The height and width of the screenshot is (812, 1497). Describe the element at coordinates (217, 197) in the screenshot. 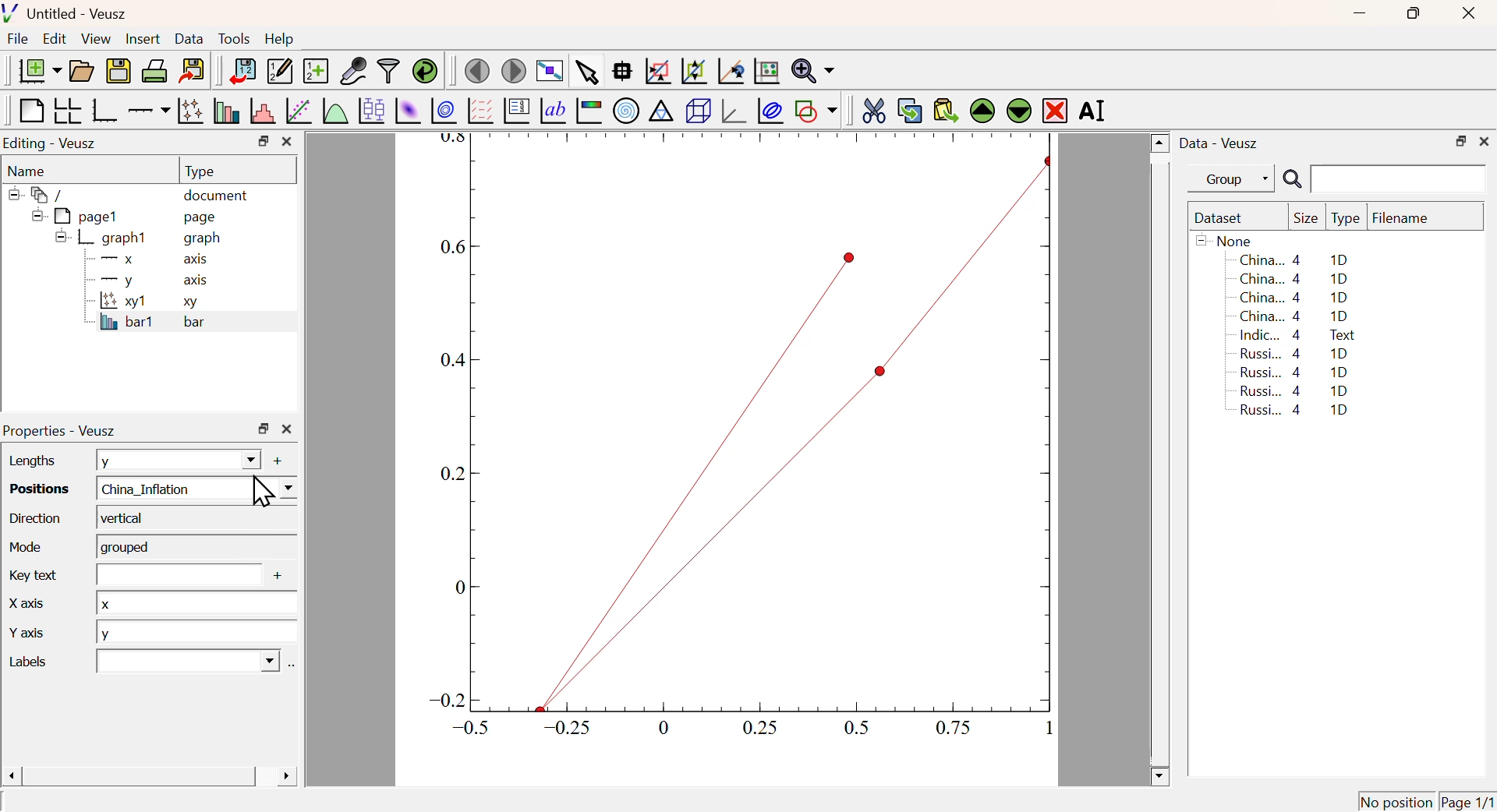

I see `document` at that location.